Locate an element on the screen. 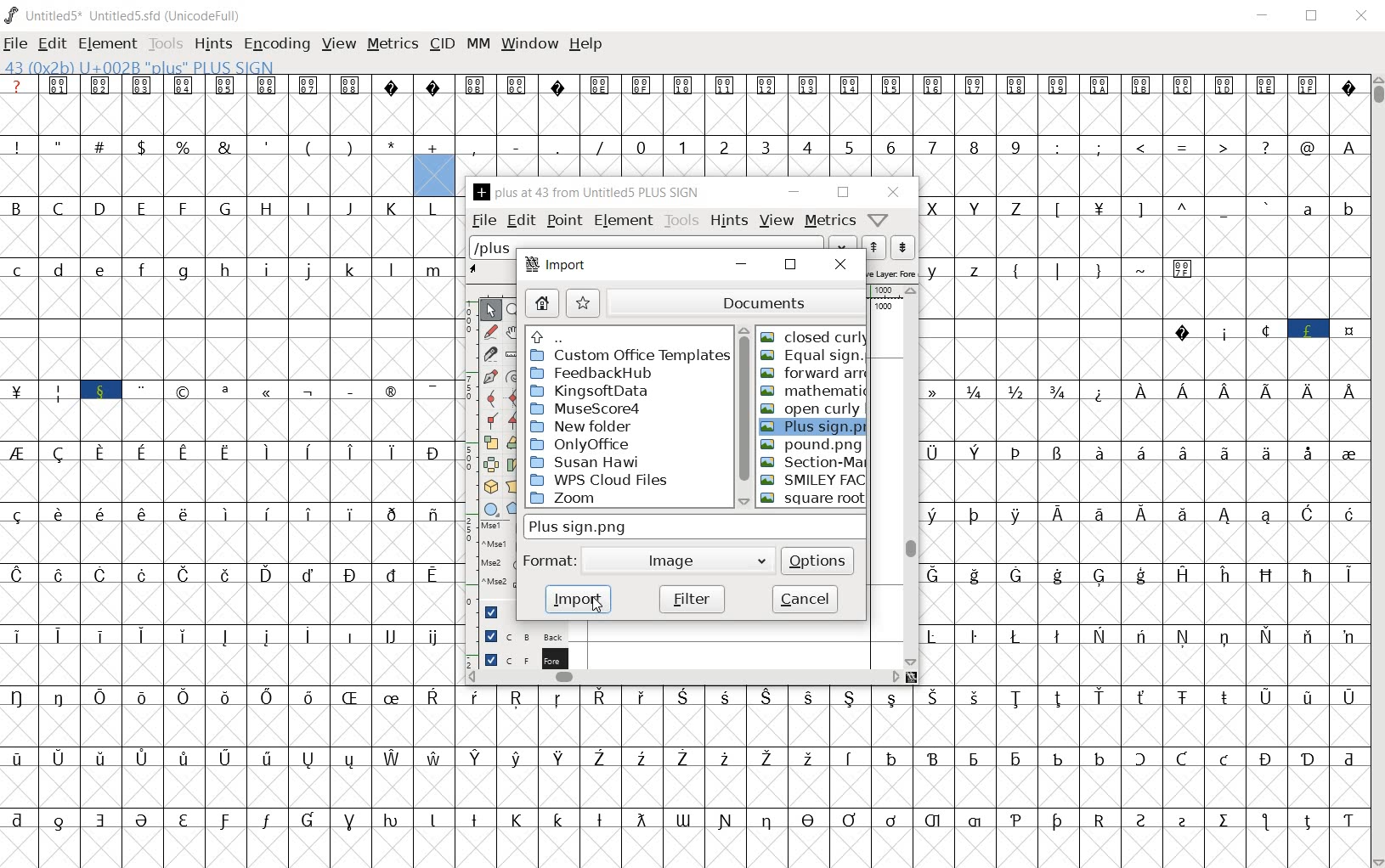 The height and width of the screenshot is (868, 1385). restore is located at coordinates (789, 268).